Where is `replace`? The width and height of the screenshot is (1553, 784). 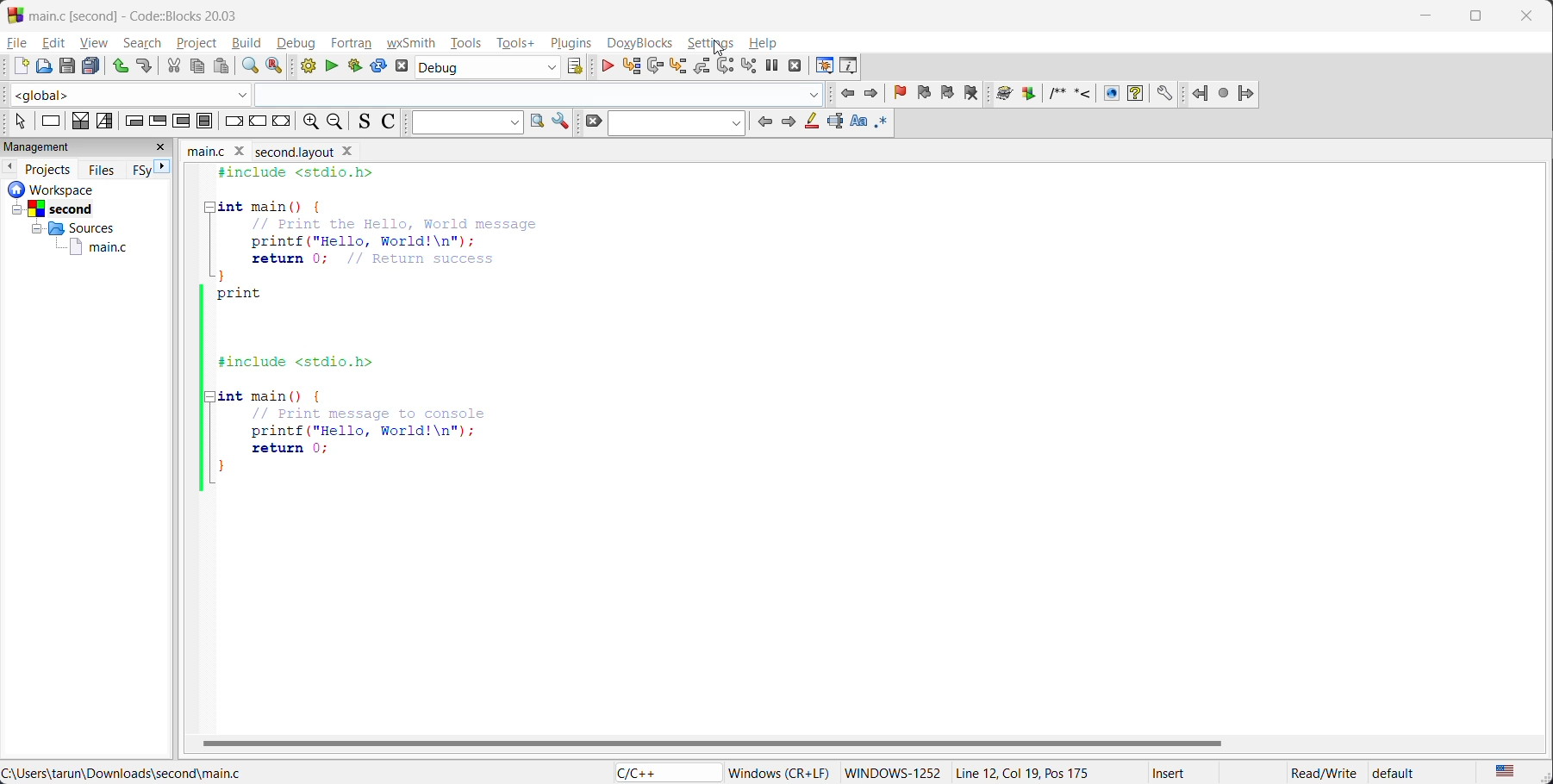
replace is located at coordinates (275, 65).